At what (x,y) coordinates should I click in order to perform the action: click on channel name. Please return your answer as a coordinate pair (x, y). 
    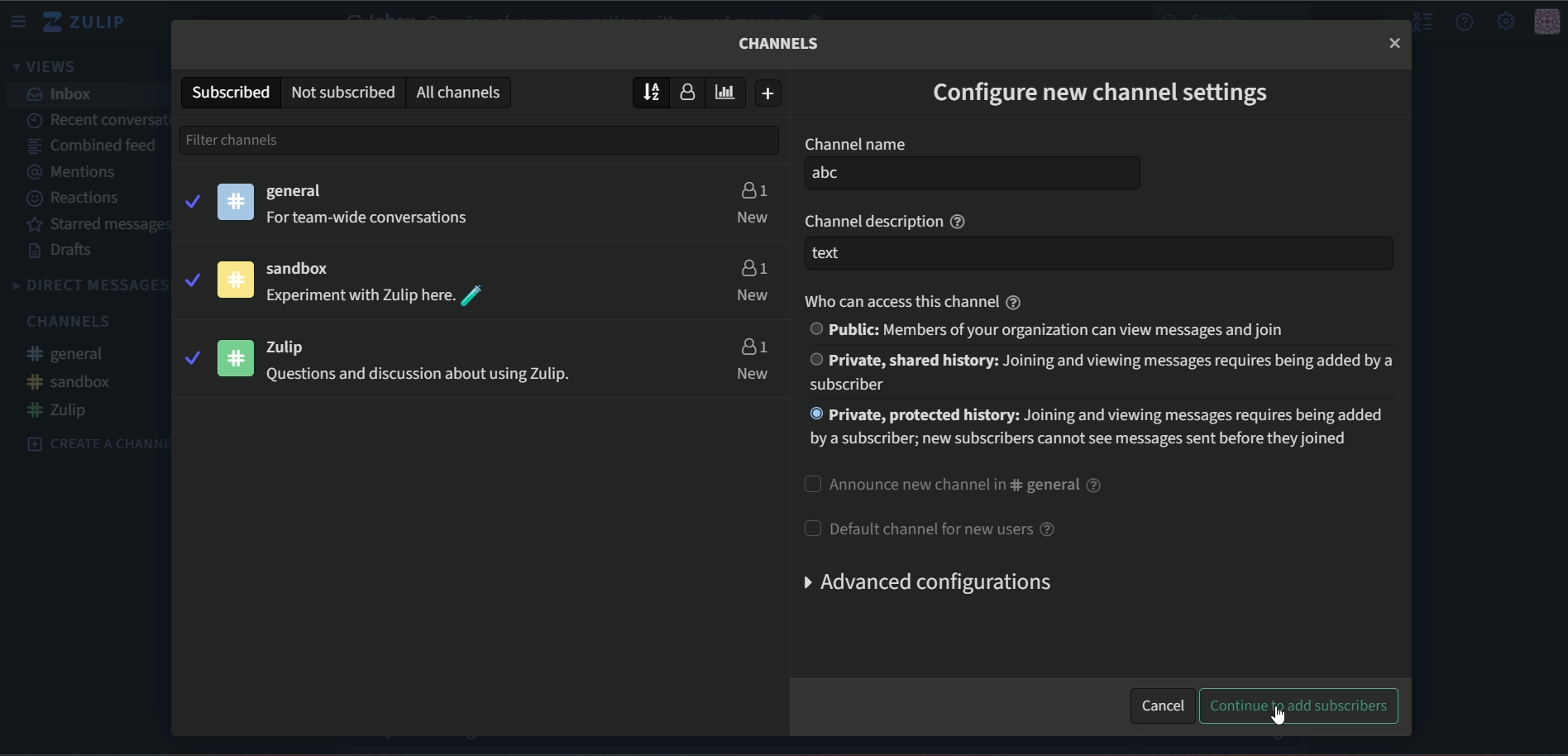
    Looking at the image, I should click on (854, 144).